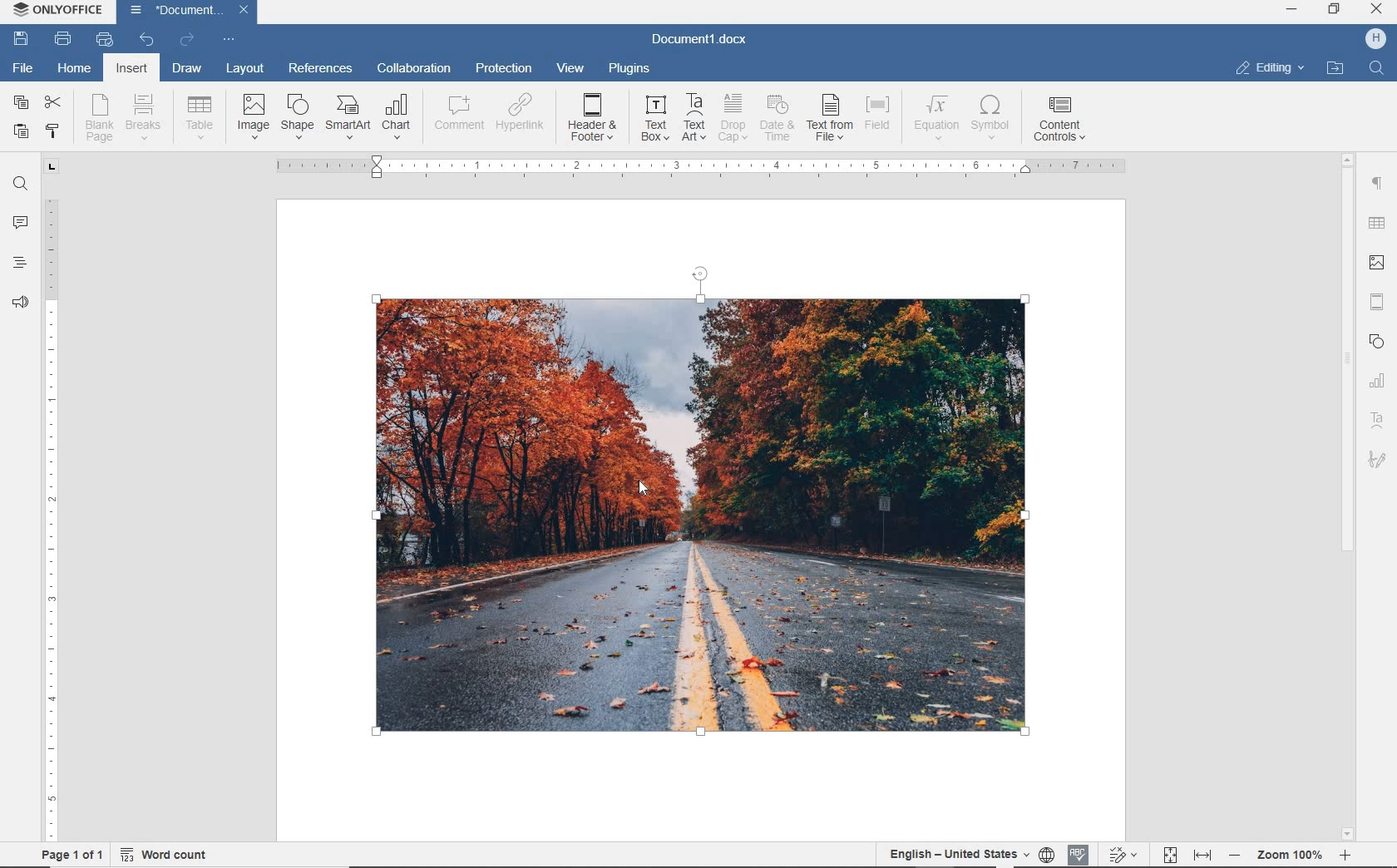 The image size is (1397, 868). What do you see at coordinates (253, 112) in the screenshot?
I see `image` at bounding box center [253, 112].